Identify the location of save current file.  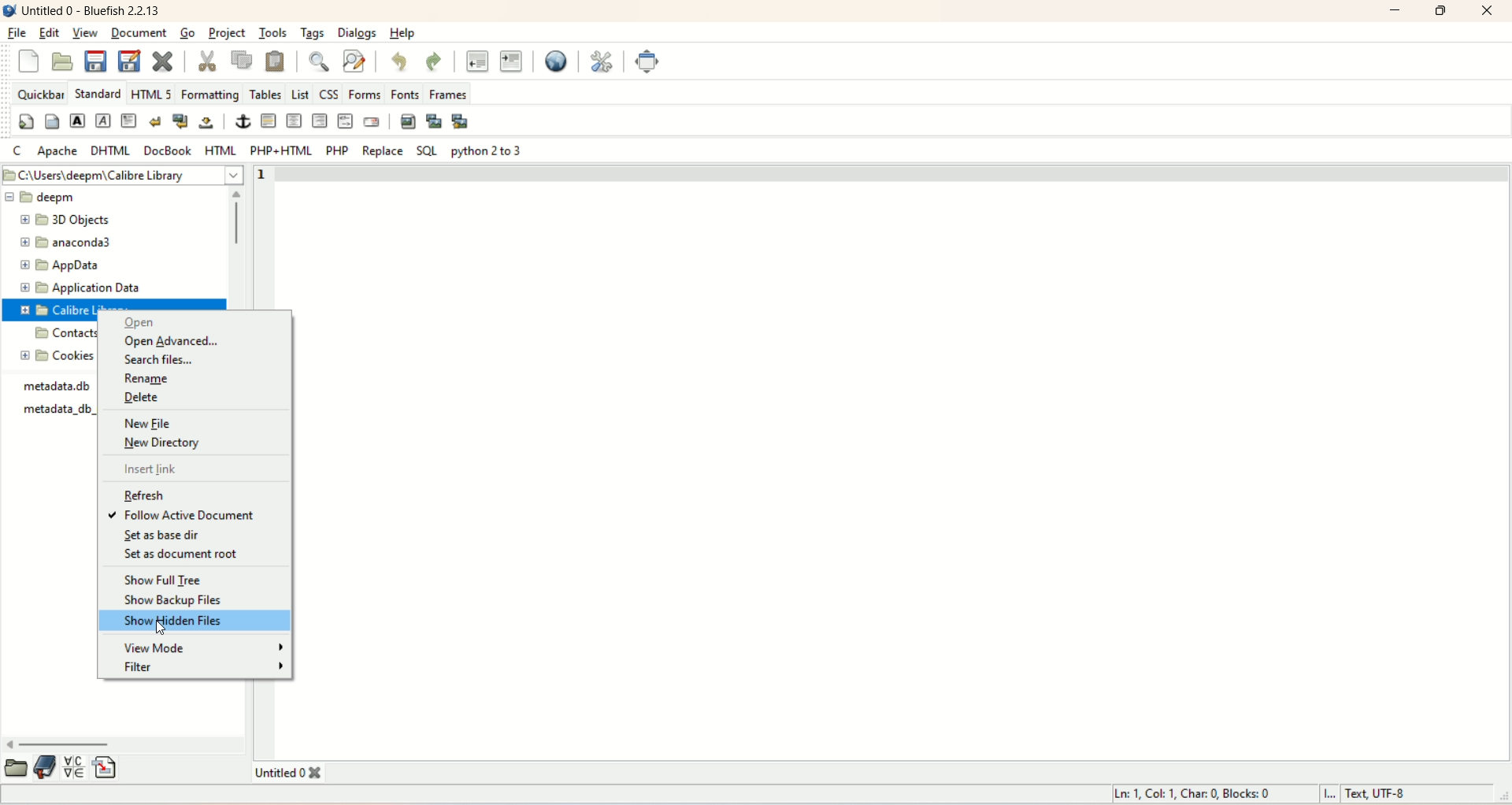
(95, 61).